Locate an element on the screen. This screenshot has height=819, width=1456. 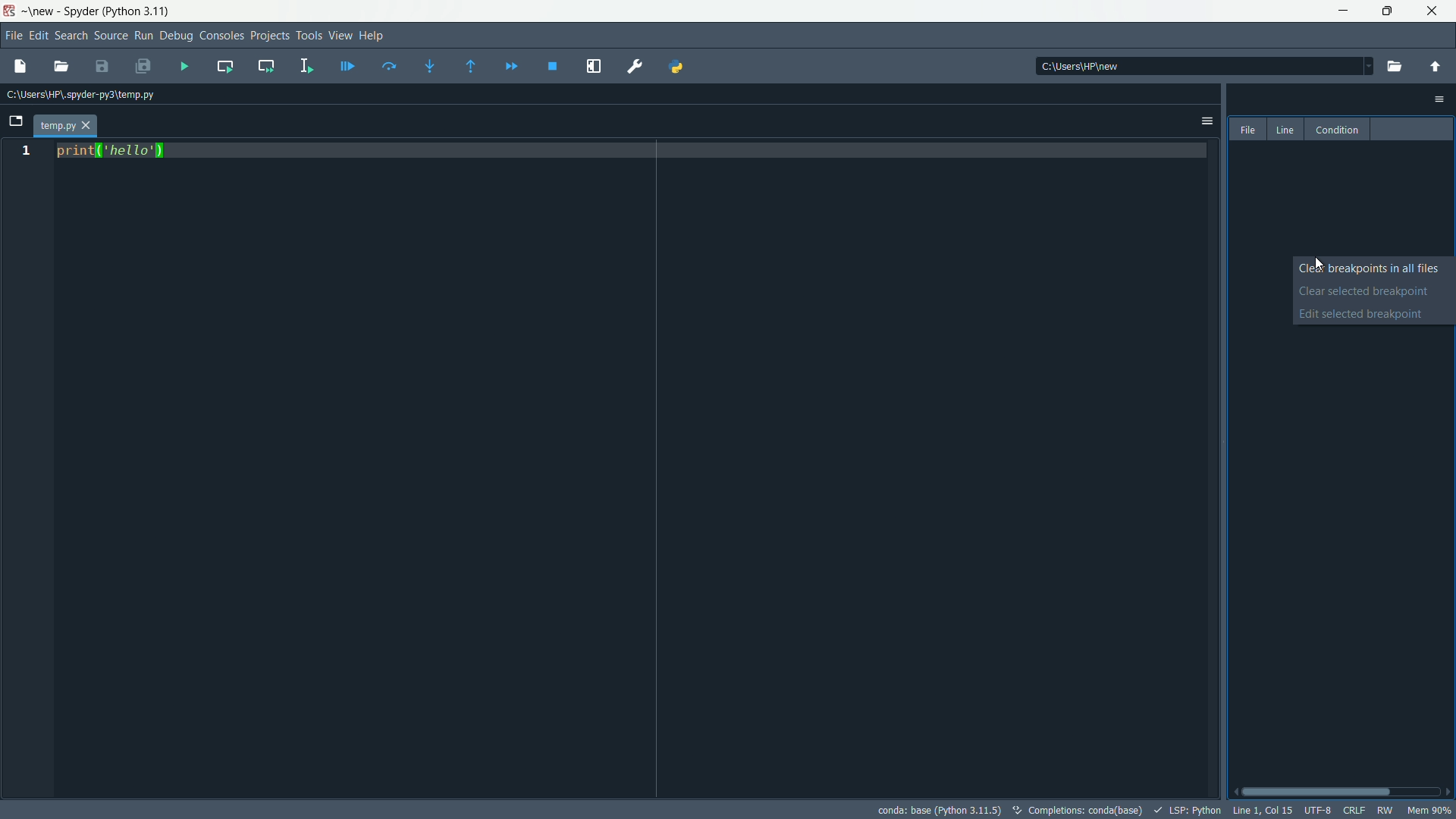
LSP:Python is located at coordinates (1185, 810).